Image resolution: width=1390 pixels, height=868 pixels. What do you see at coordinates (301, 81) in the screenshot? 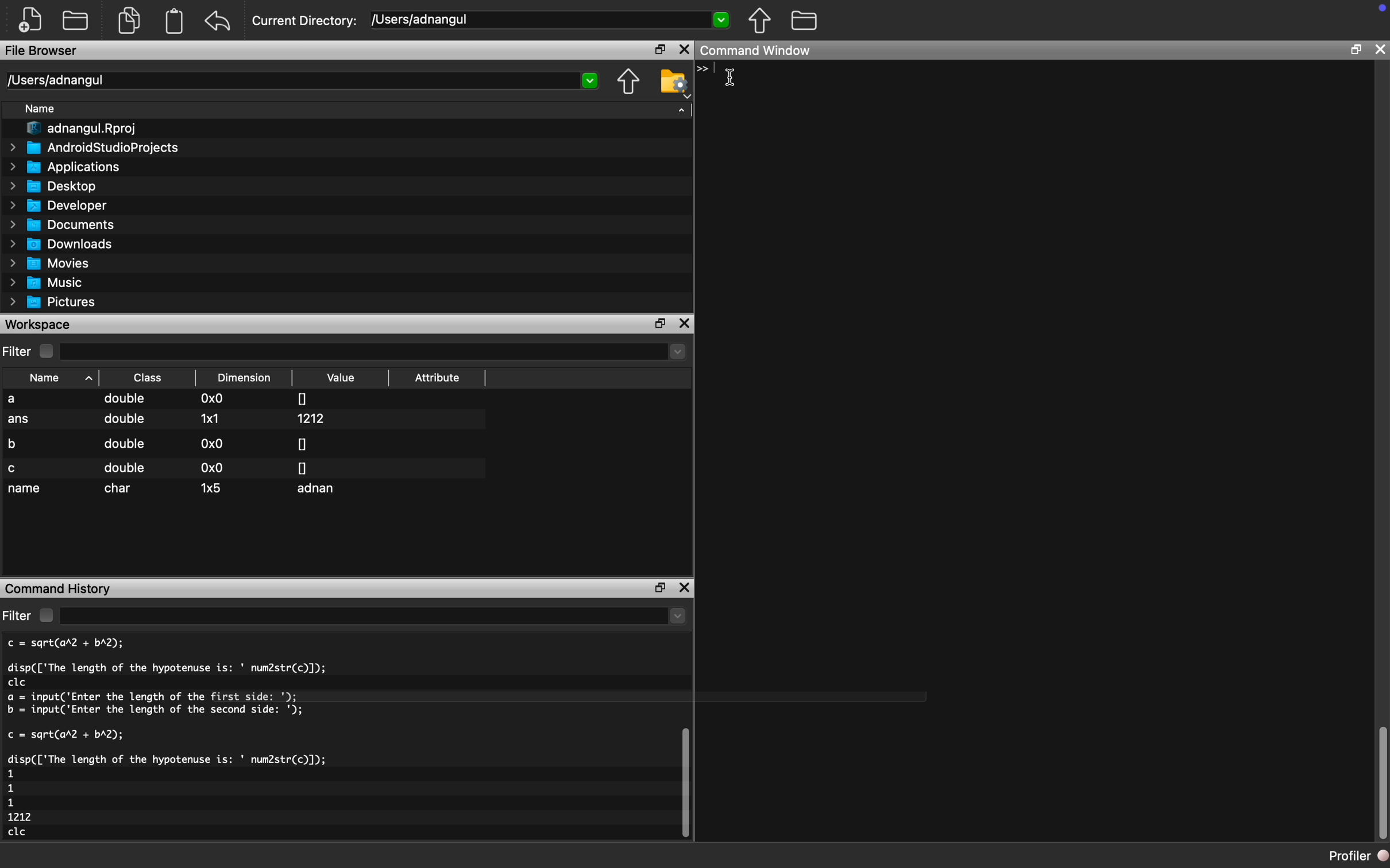
I see `Users/adnangul 2` at bounding box center [301, 81].